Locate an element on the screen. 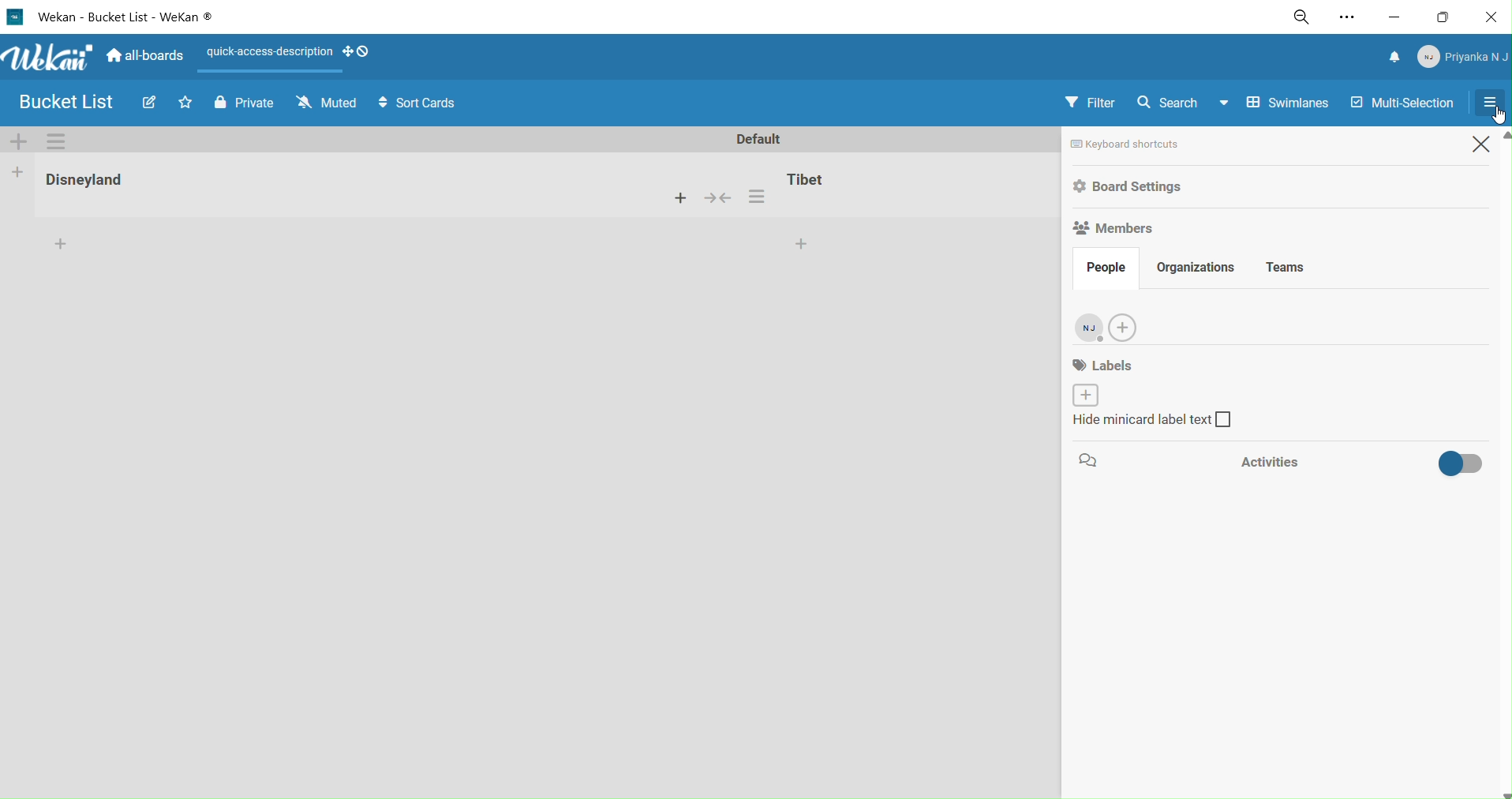  swimlanes is located at coordinates (1274, 105).